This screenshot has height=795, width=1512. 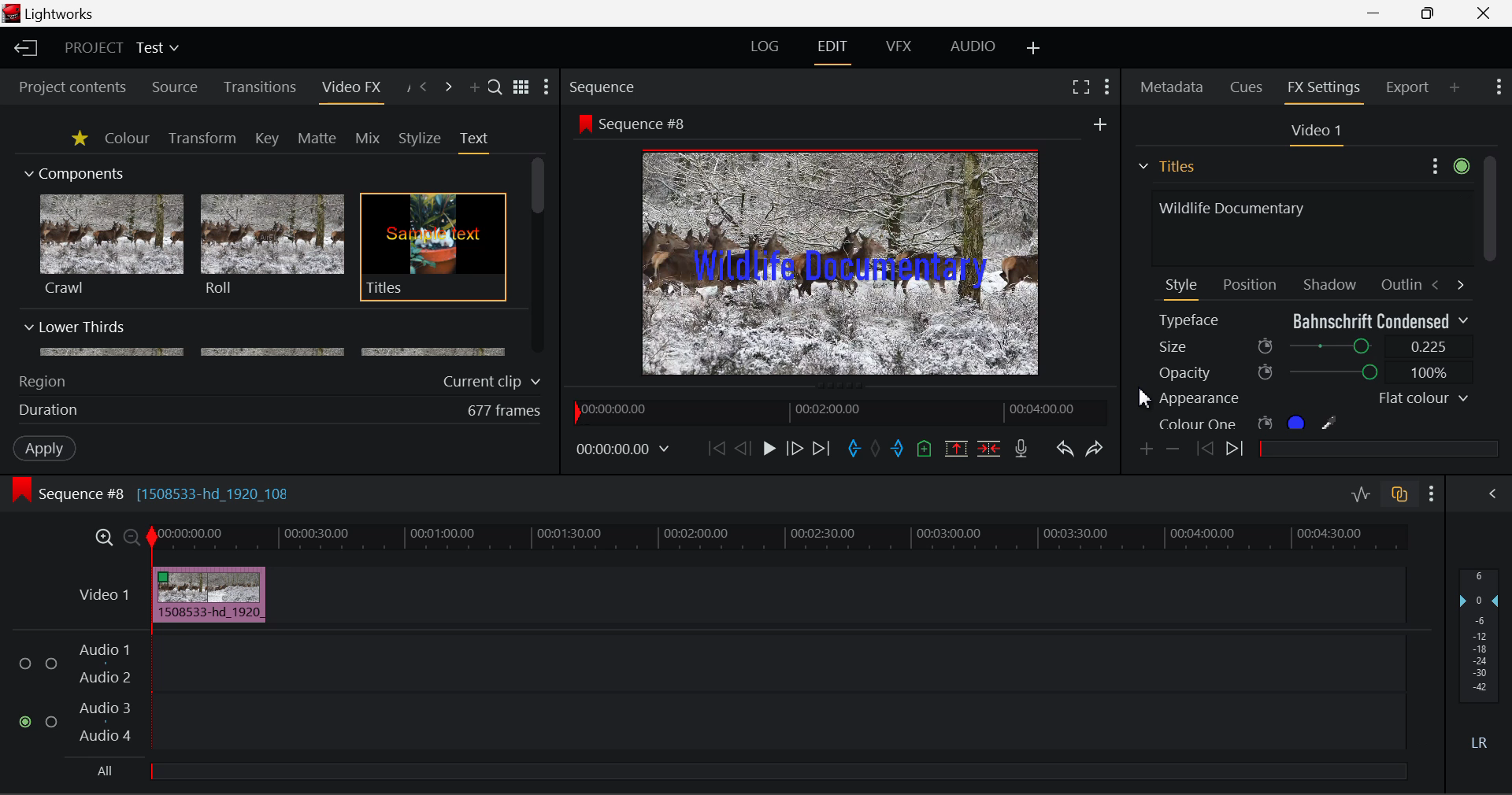 What do you see at coordinates (421, 139) in the screenshot?
I see `Stylize` at bounding box center [421, 139].